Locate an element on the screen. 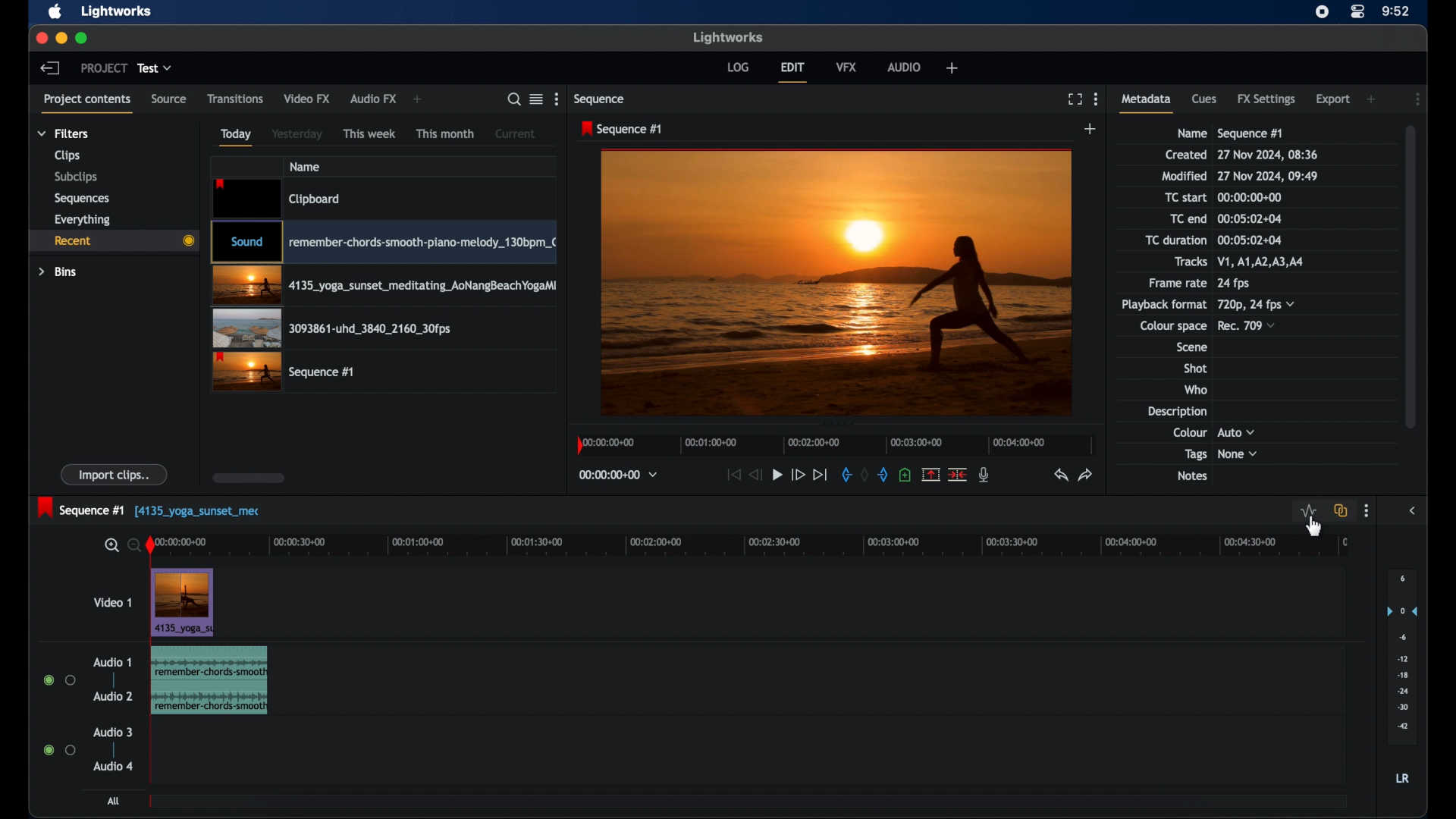 This screenshot has width=1456, height=819. metadata is located at coordinates (1147, 102).